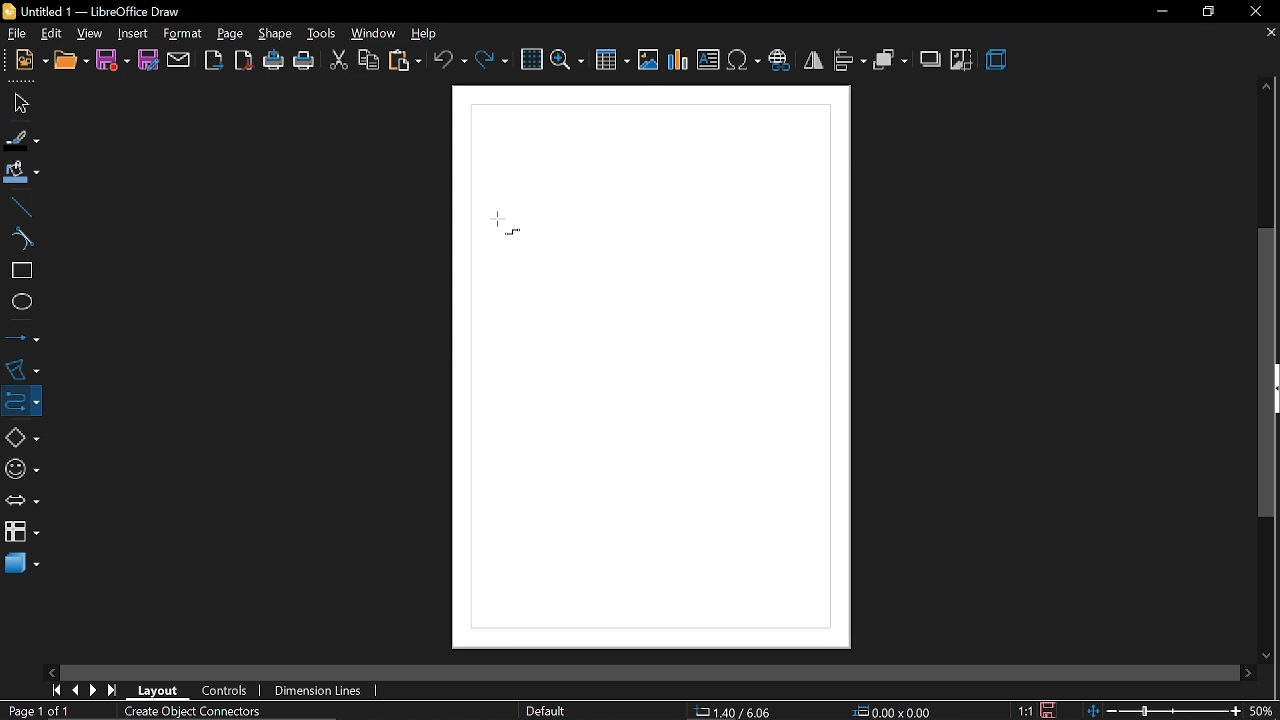 The image size is (1280, 720). Describe the element at coordinates (450, 61) in the screenshot. I see `undo` at that location.